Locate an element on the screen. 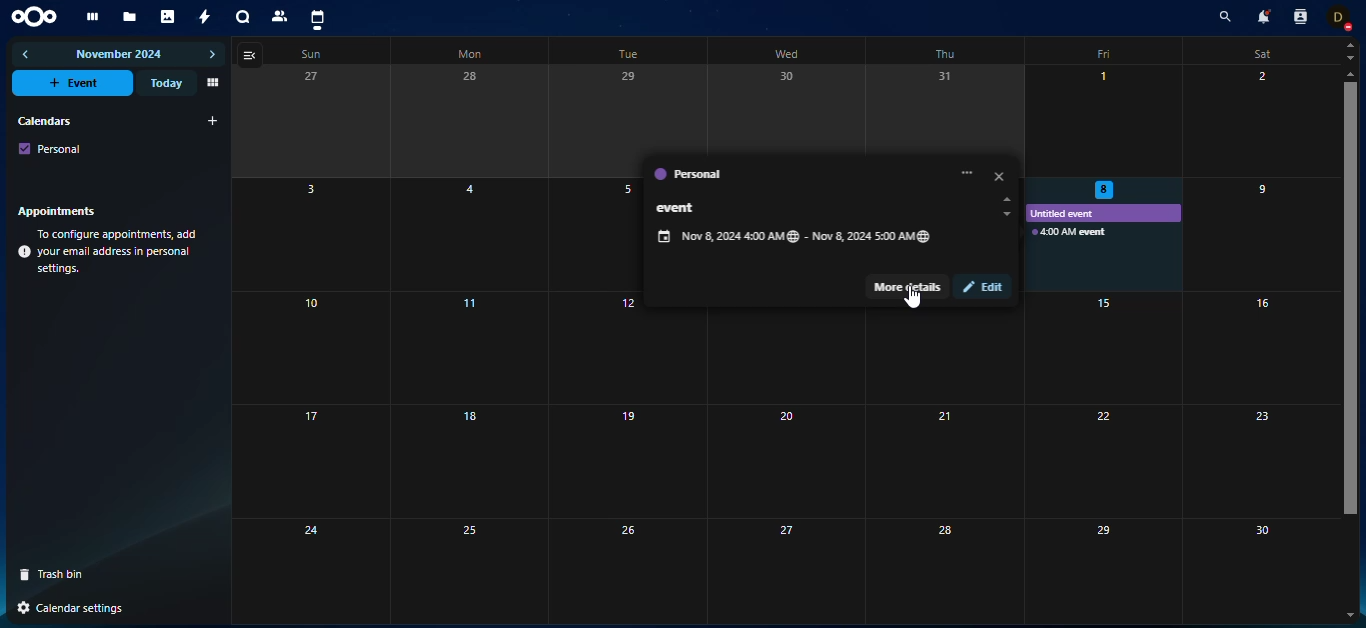 Image resolution: width=1366 pixels, height=628 pixels. talk is located at coordinates (243, 18).